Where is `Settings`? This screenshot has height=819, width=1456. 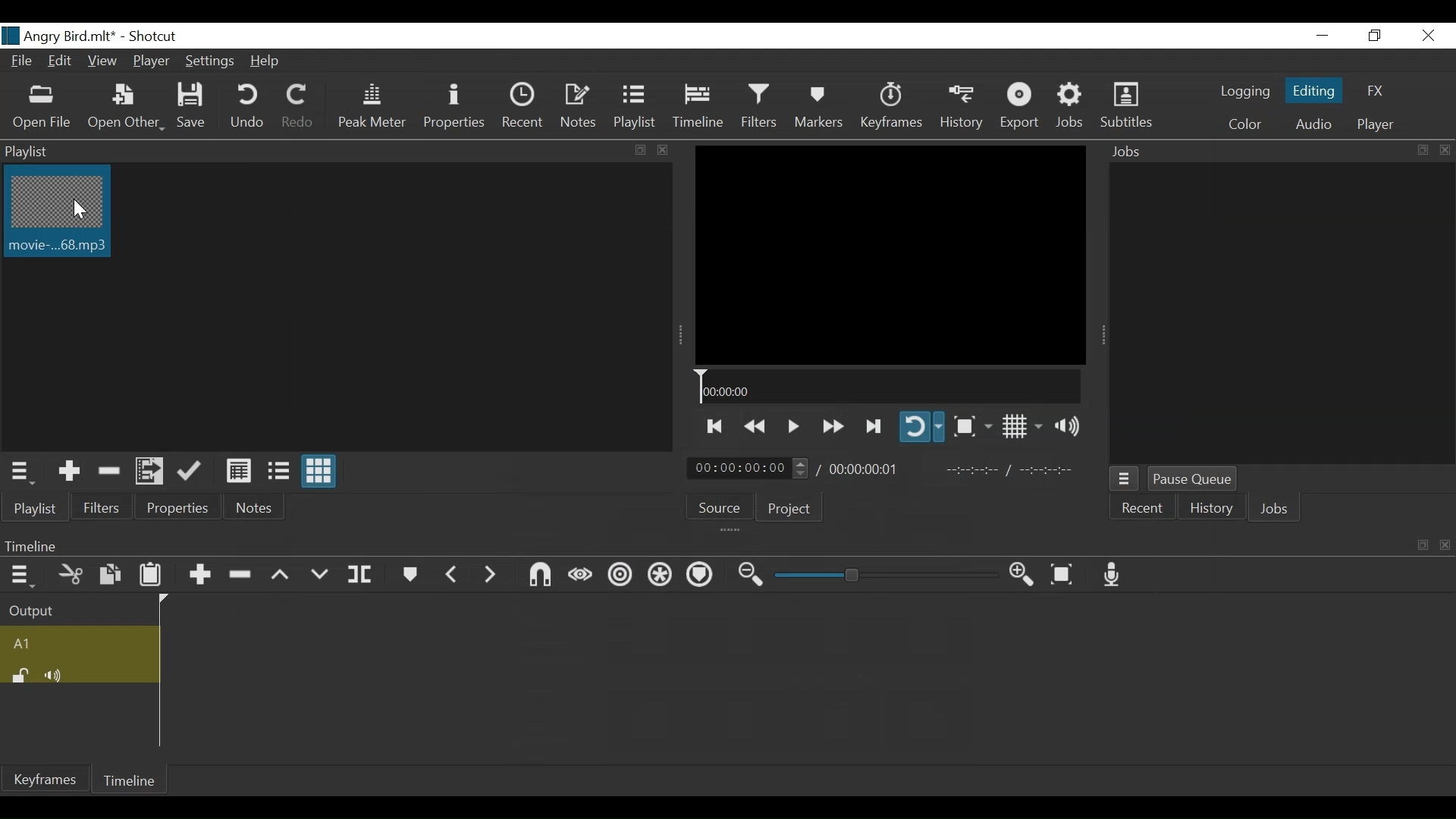 Settings is located at coordinates (208, 61).